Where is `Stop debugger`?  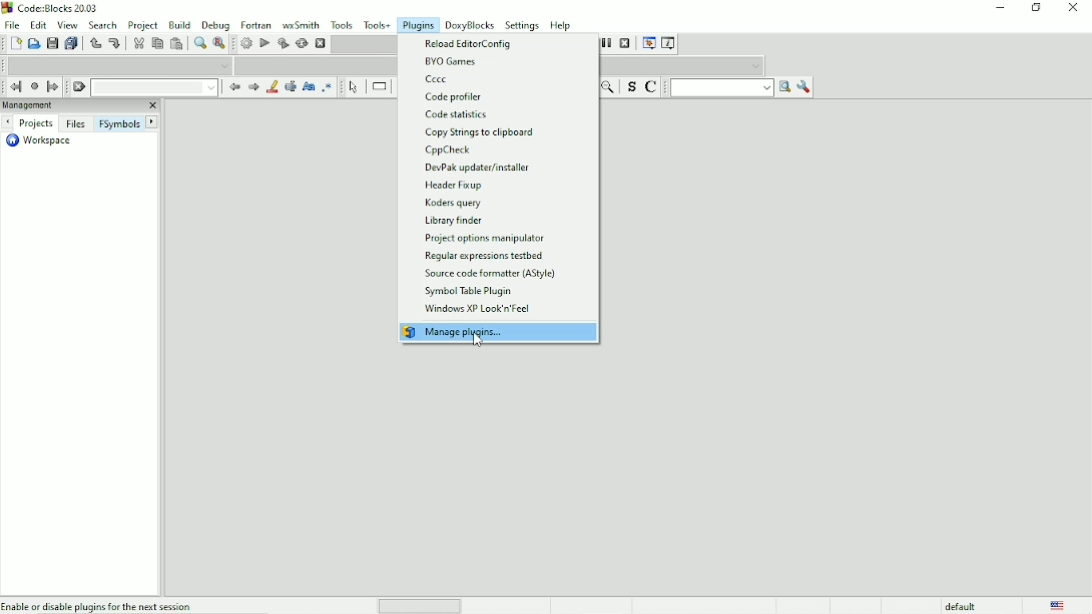
Stop debugger is located at coordinates (625, 43).